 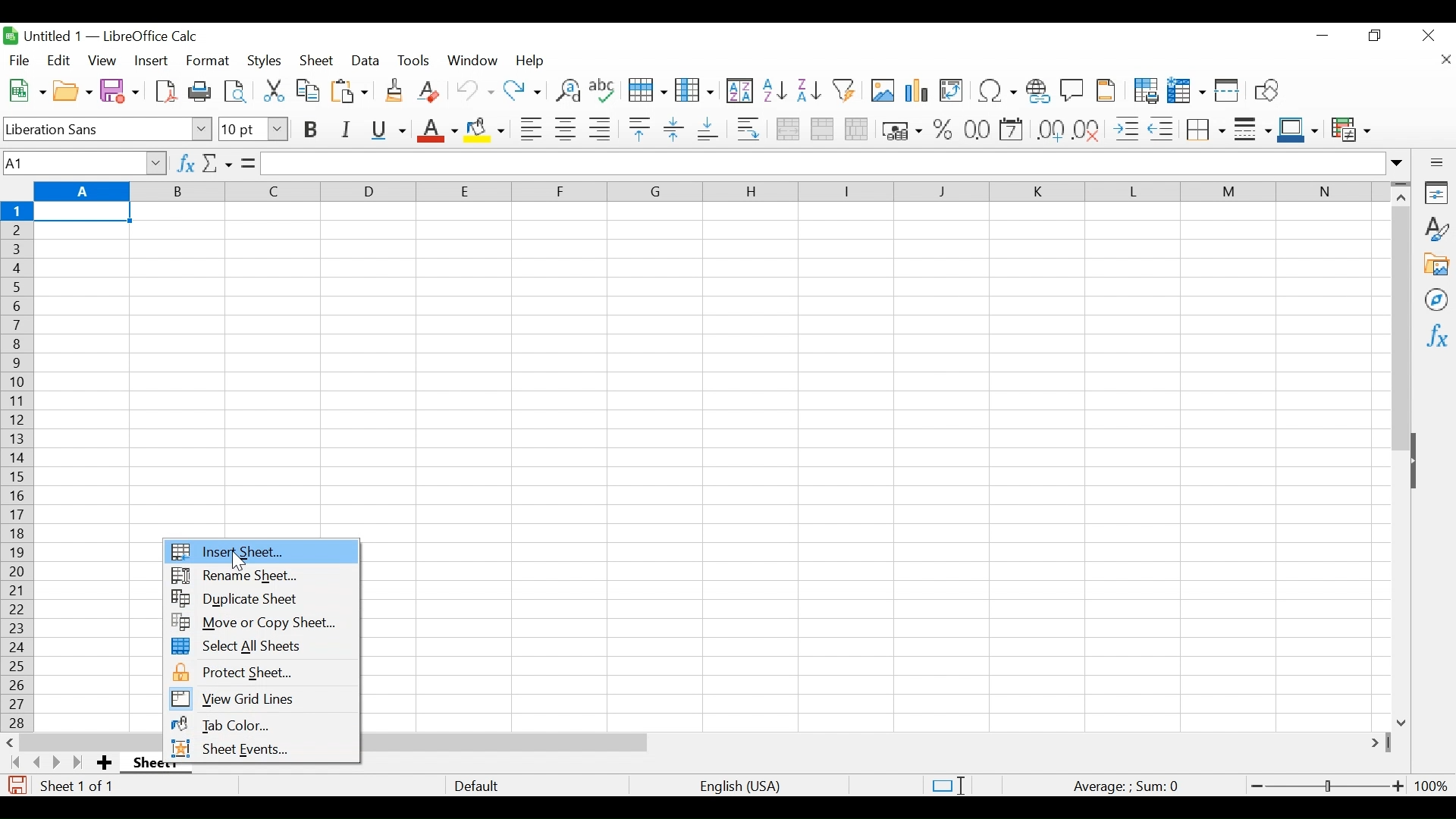 What do you see at coordinates (308, 89) in the screenshot?
I see `Copy` at bounding box center [308, 89].